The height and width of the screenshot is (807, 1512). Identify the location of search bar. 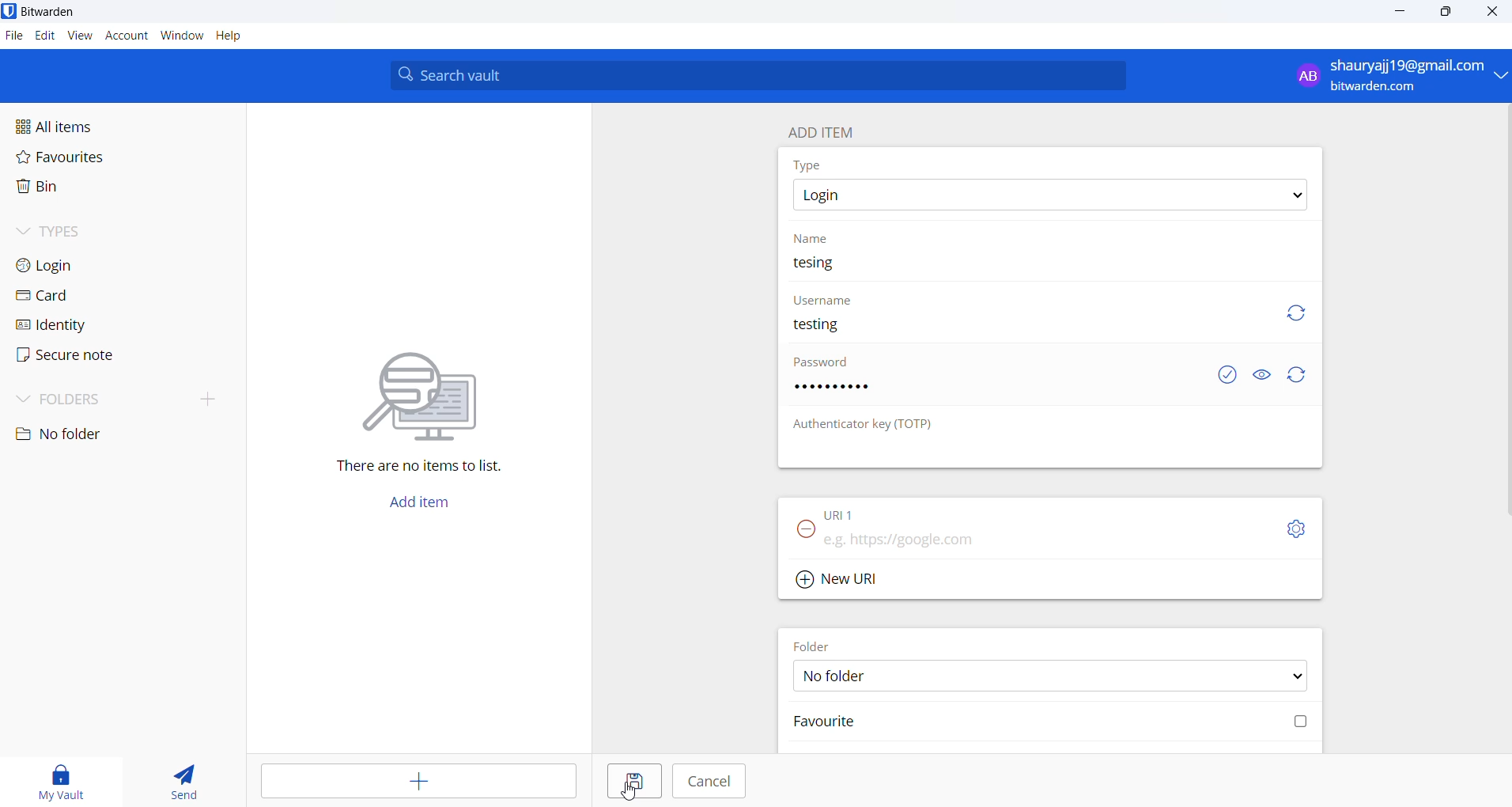
(764, 75).